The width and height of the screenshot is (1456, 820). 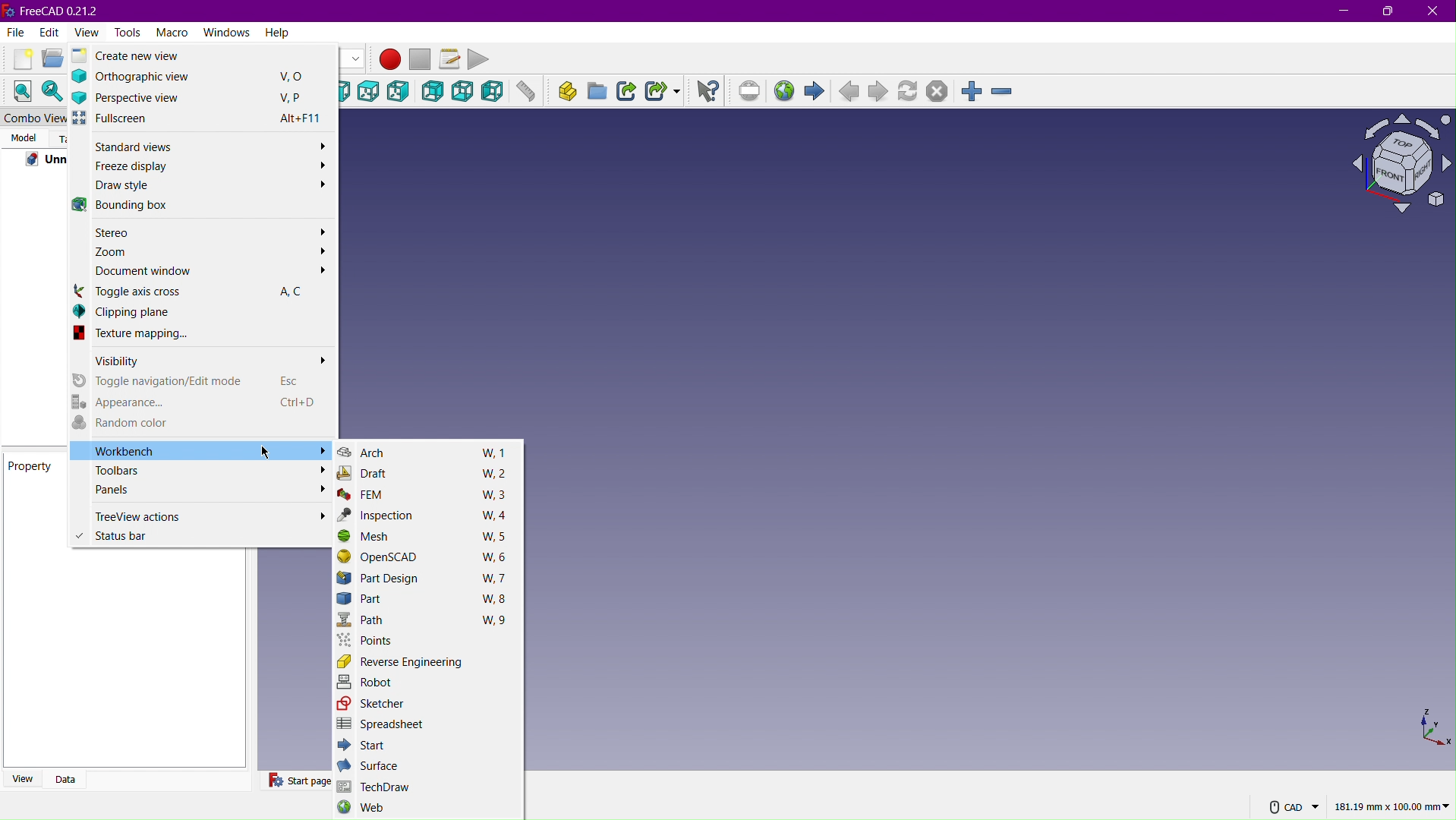 I want to click on Standard views, so click(x=201, y=147).